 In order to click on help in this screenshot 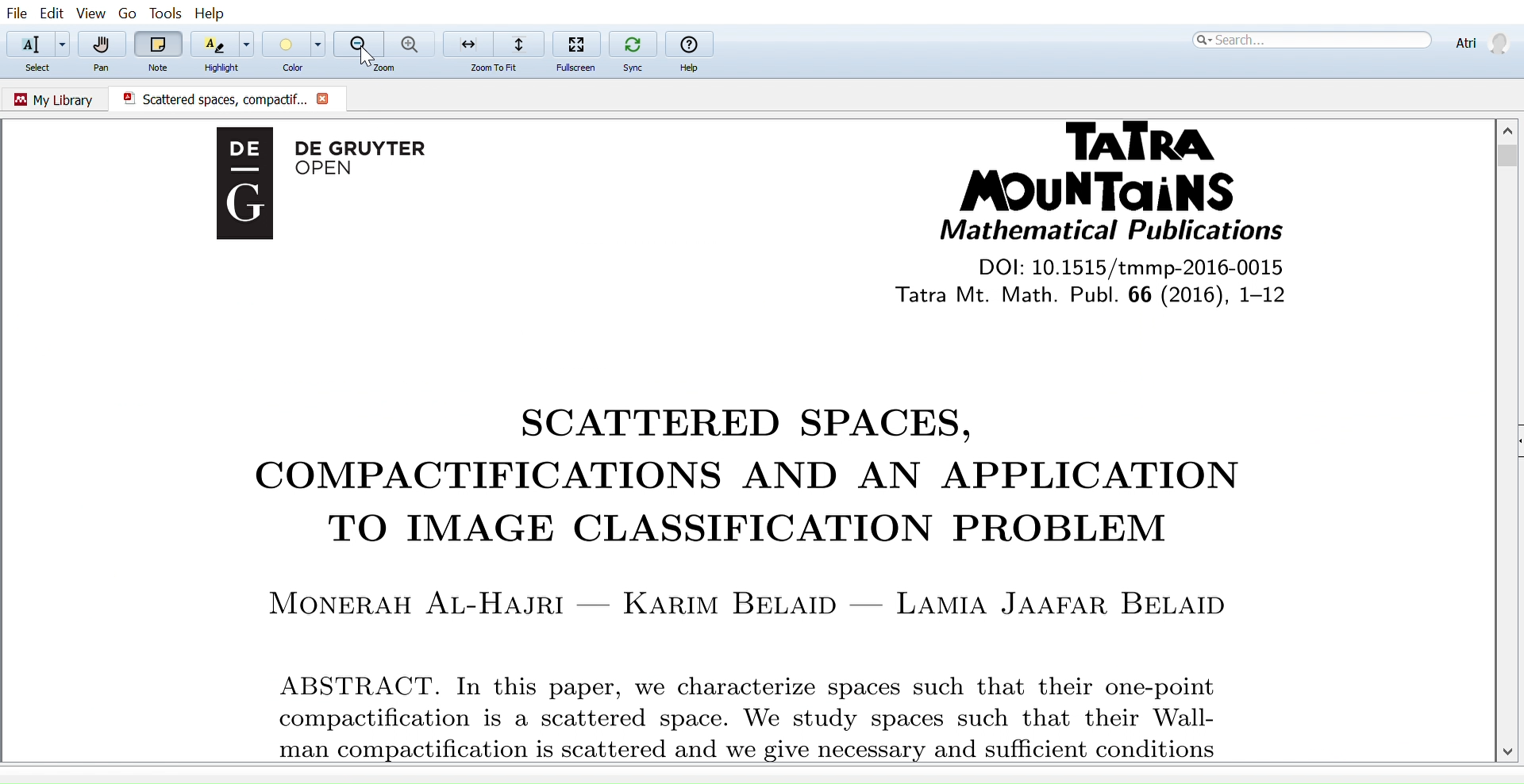, I will do `click(689, 44)`.